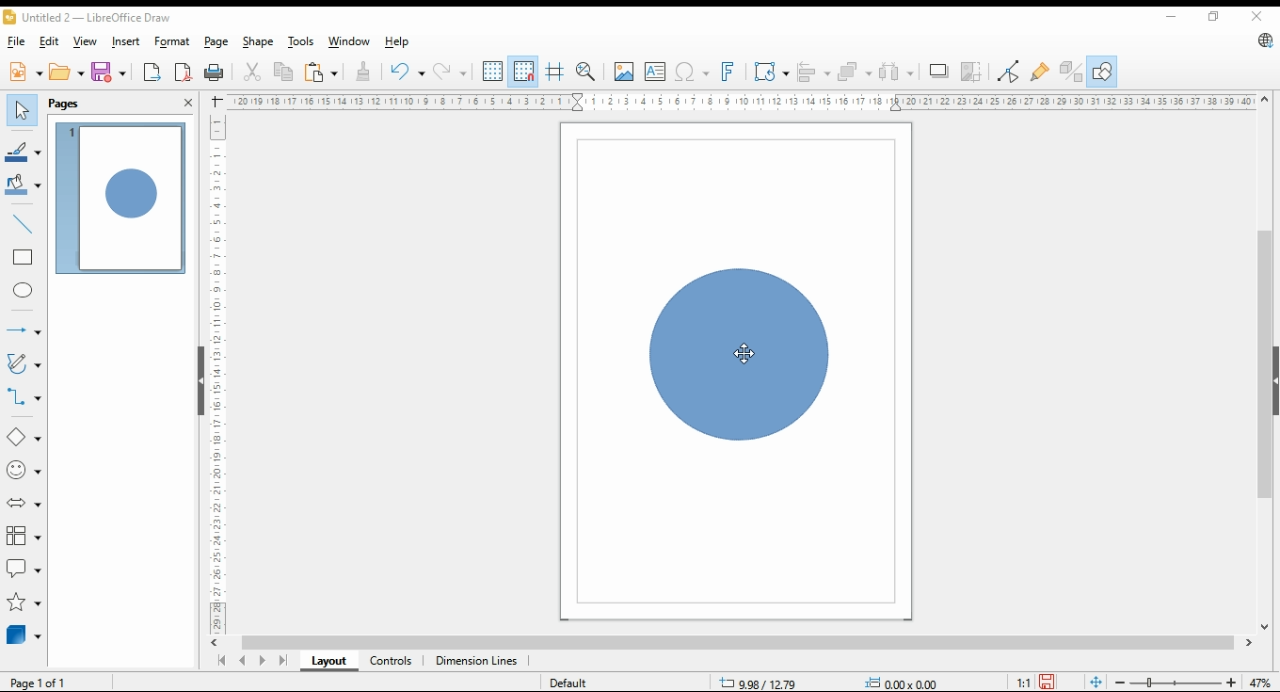  What do you see at coordinates (27, 71) in the screenshot?
I see `new` at bounding box center [27, 71].